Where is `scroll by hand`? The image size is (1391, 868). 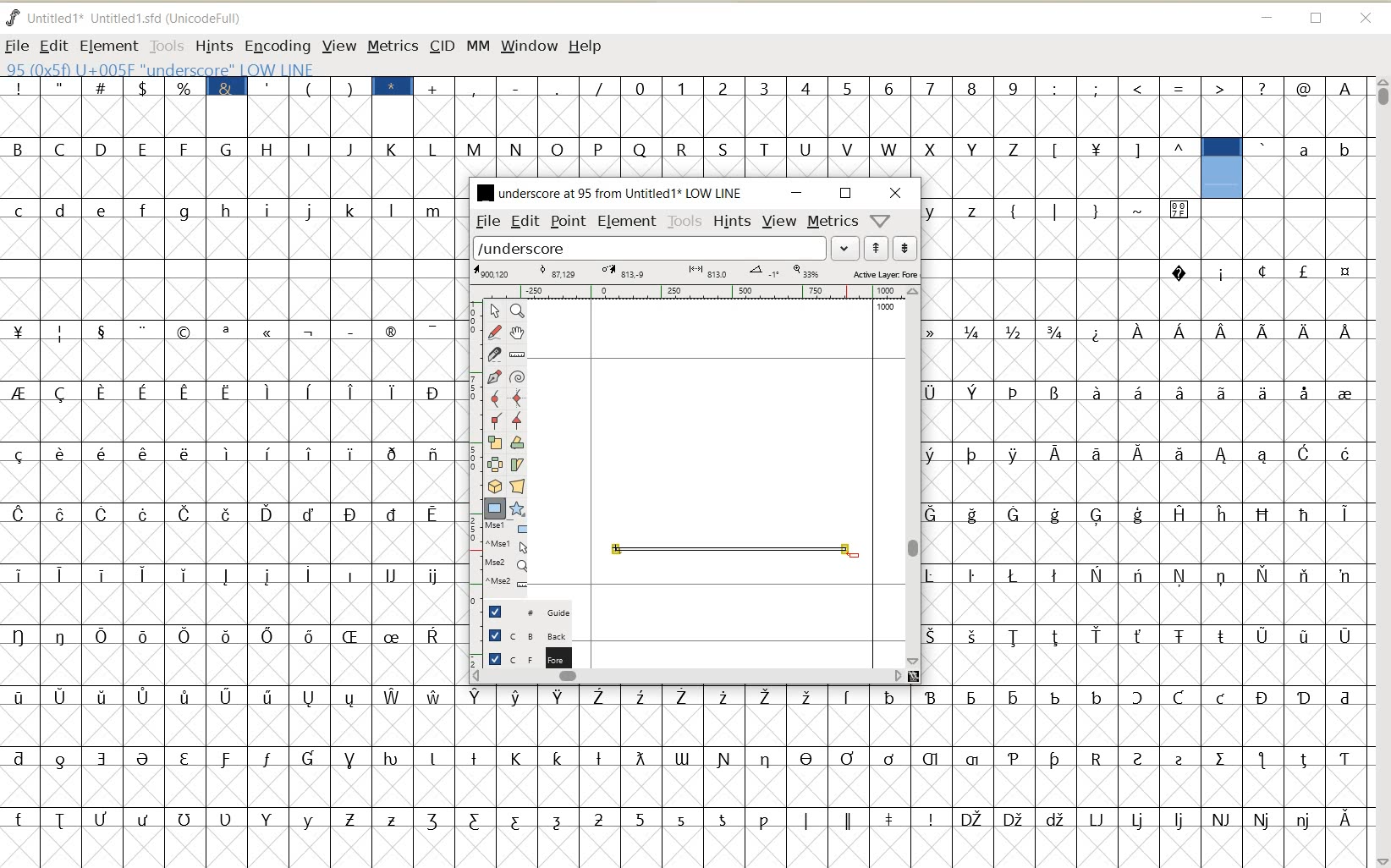 scroll by hand is located at coordinates (519, 332).